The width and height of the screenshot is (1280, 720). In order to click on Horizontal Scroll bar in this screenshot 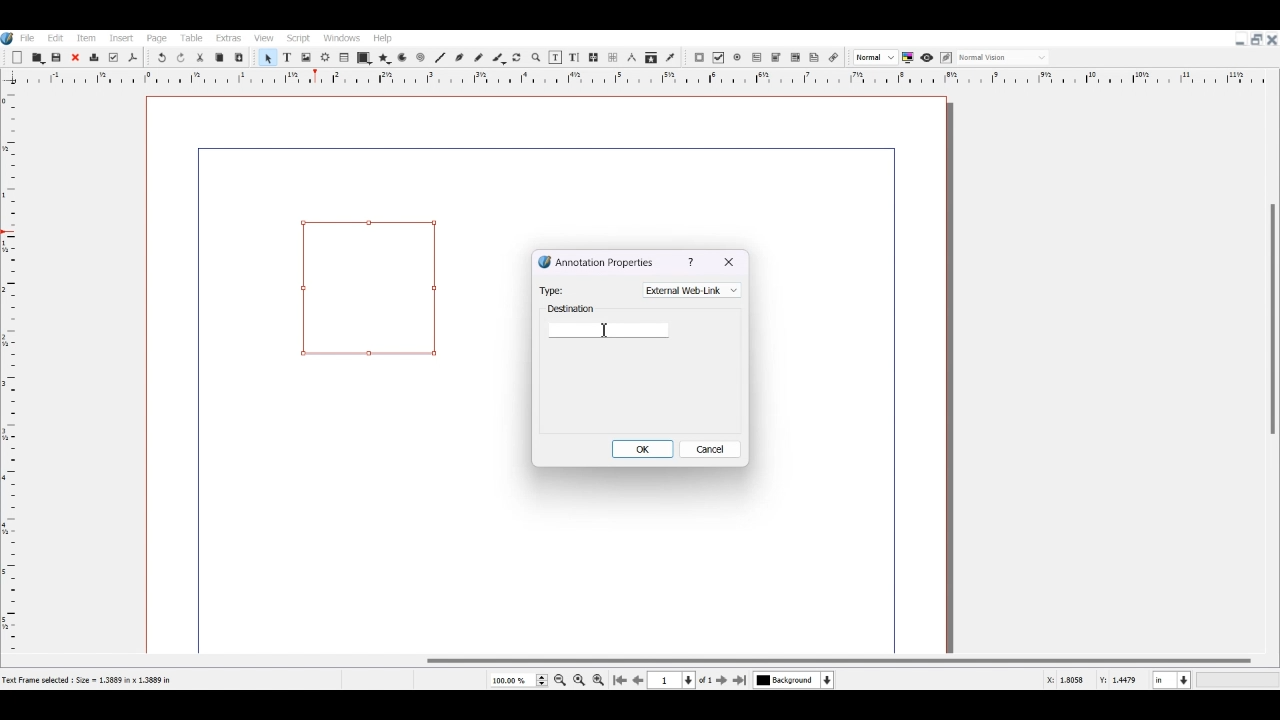, I will do `click(640, 661)`.